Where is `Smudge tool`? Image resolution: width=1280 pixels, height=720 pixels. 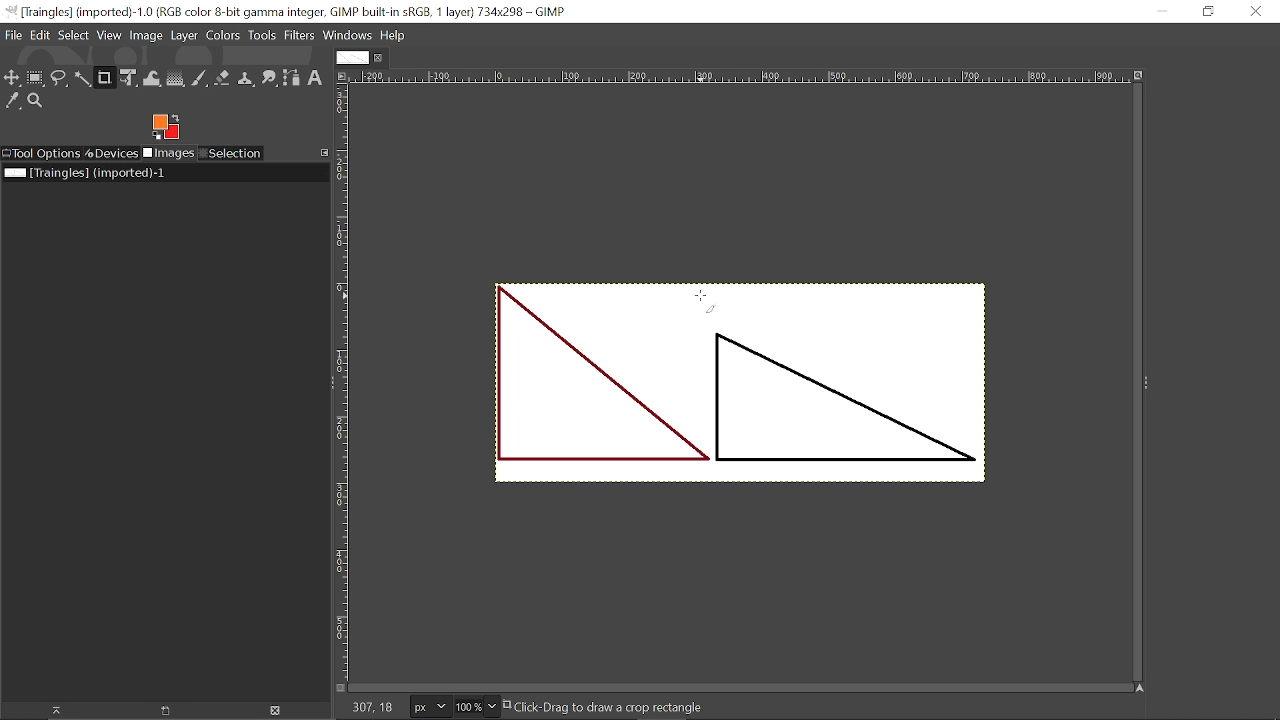
Smudge tool is located at coordinates (268, 79).